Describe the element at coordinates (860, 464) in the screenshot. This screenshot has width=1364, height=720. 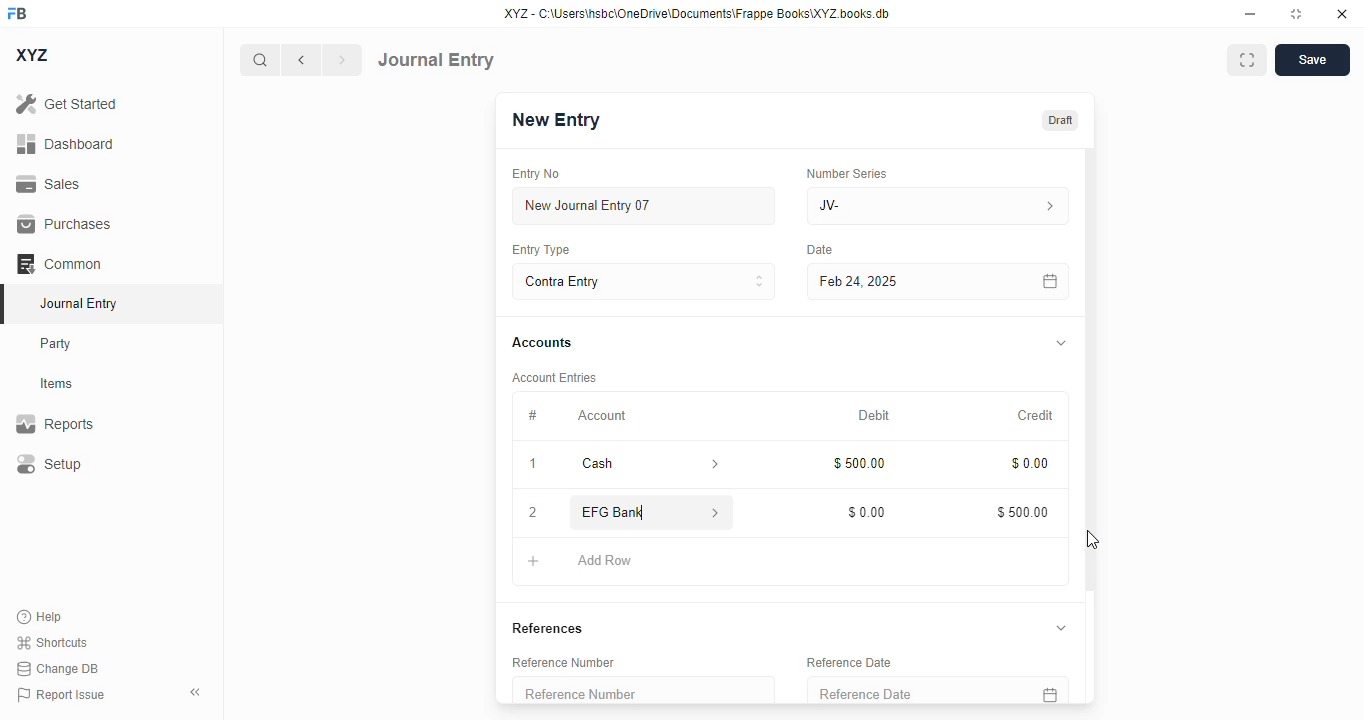
I see `$500.00 ` at that location.